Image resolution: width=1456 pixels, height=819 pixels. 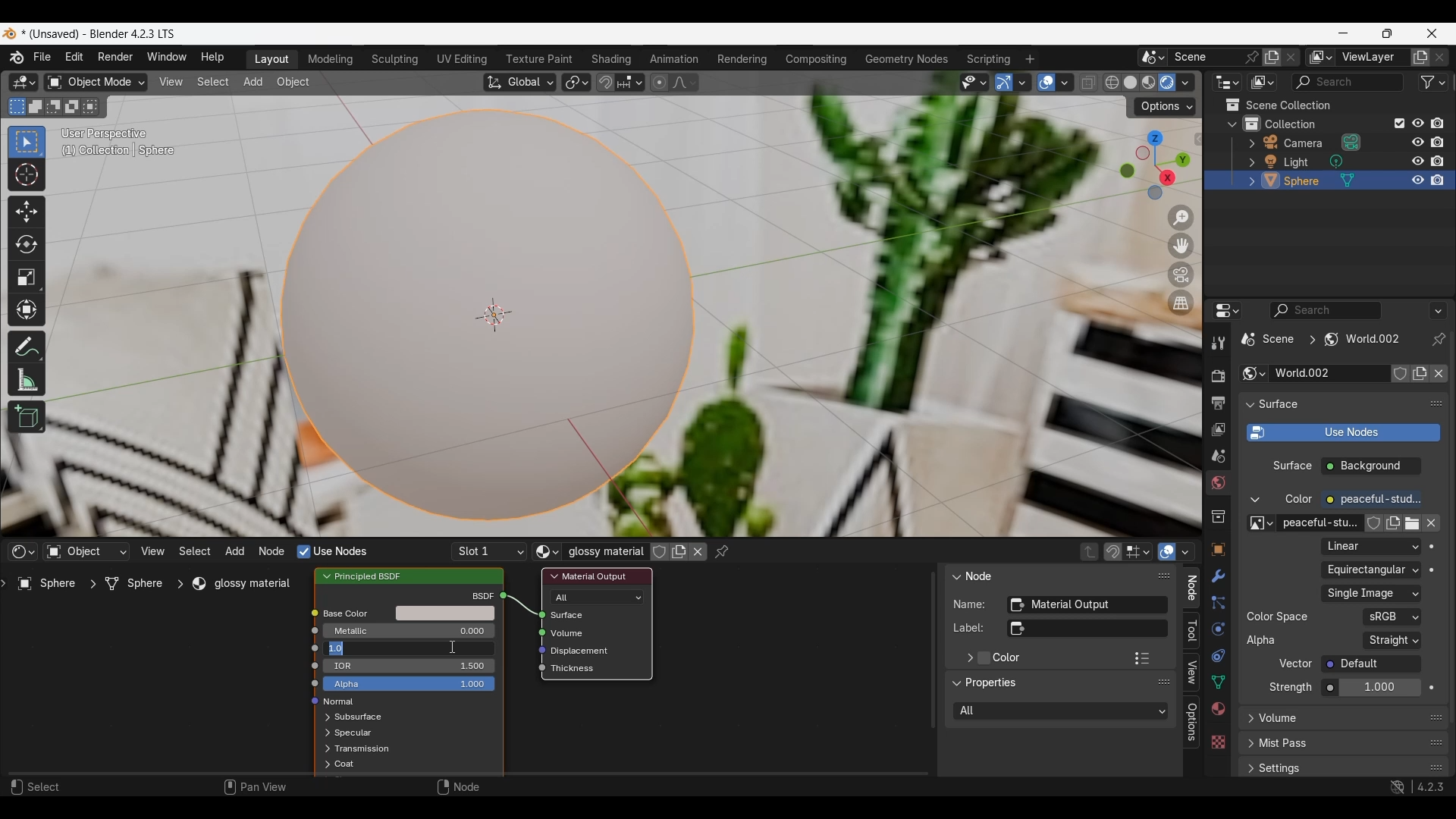 What do you see at coordinates (1271, 161) in the screenshot?
I see `Edit light` at bounding box center [1271, 161].